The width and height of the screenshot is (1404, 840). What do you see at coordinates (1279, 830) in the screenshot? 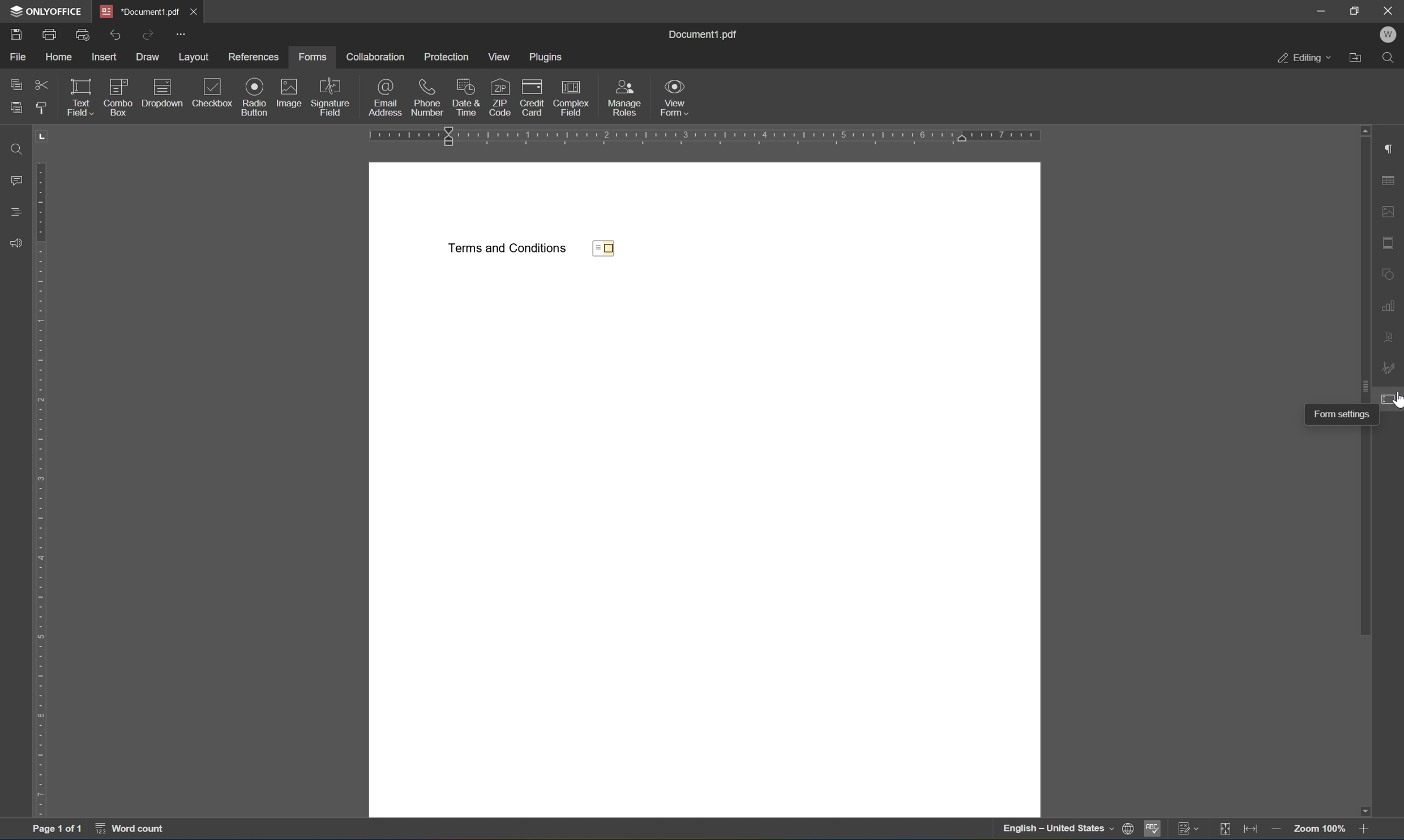
I see `zoom out` at bounding box center [1279, 830].